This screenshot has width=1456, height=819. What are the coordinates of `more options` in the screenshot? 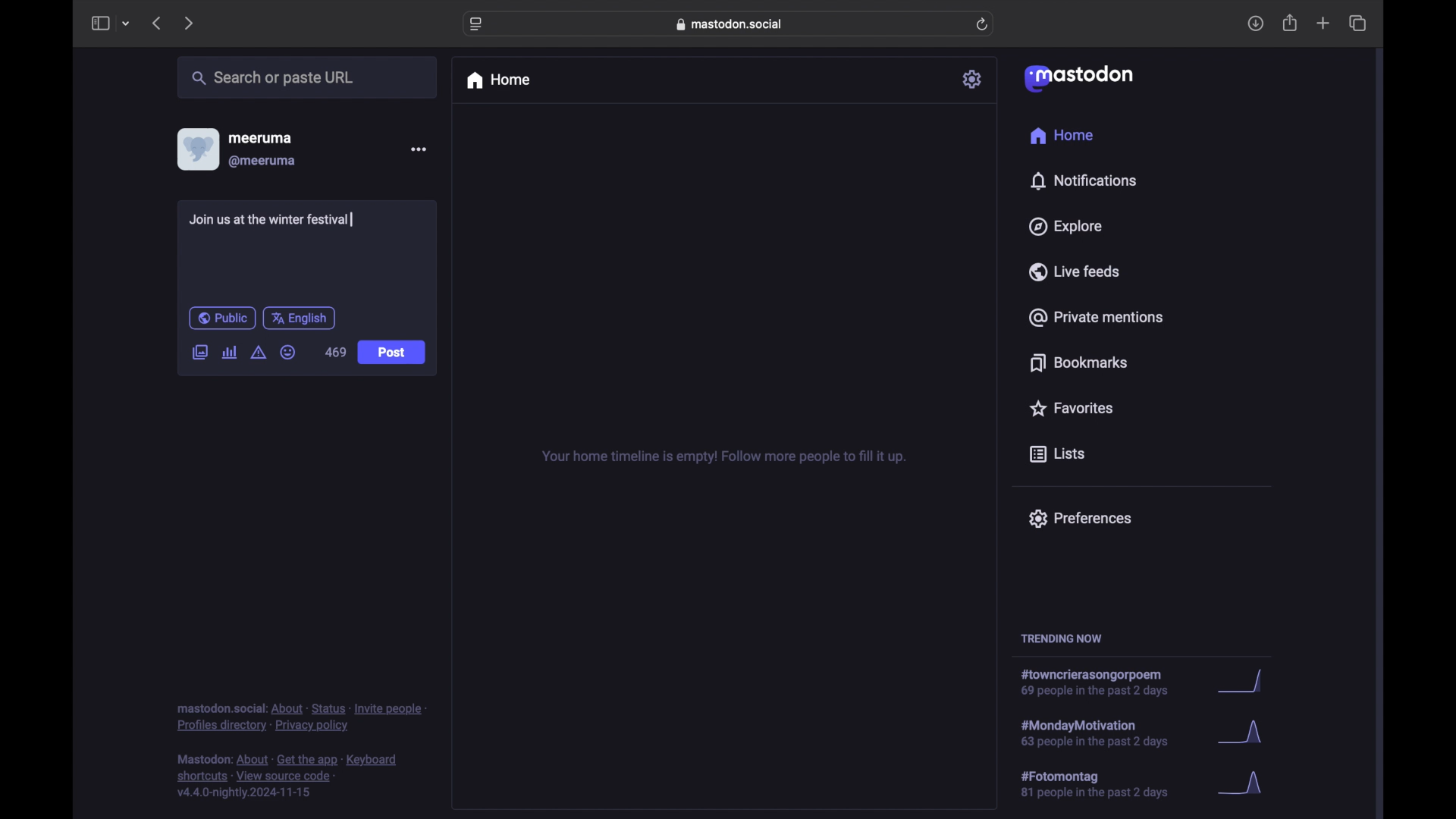 It's located at (419, 149).